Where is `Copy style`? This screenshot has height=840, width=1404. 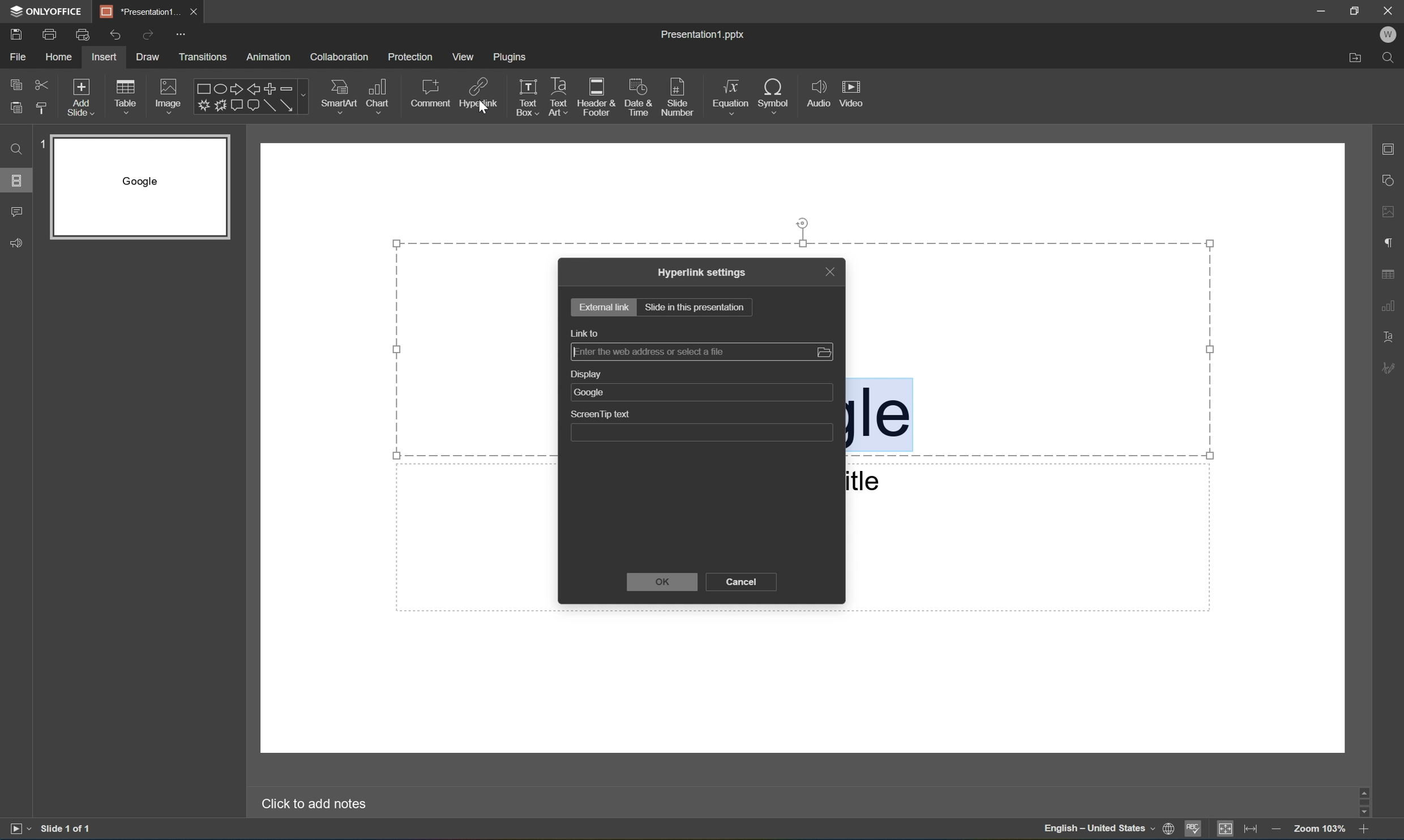
Copy style is located at coordinates (44, 109).